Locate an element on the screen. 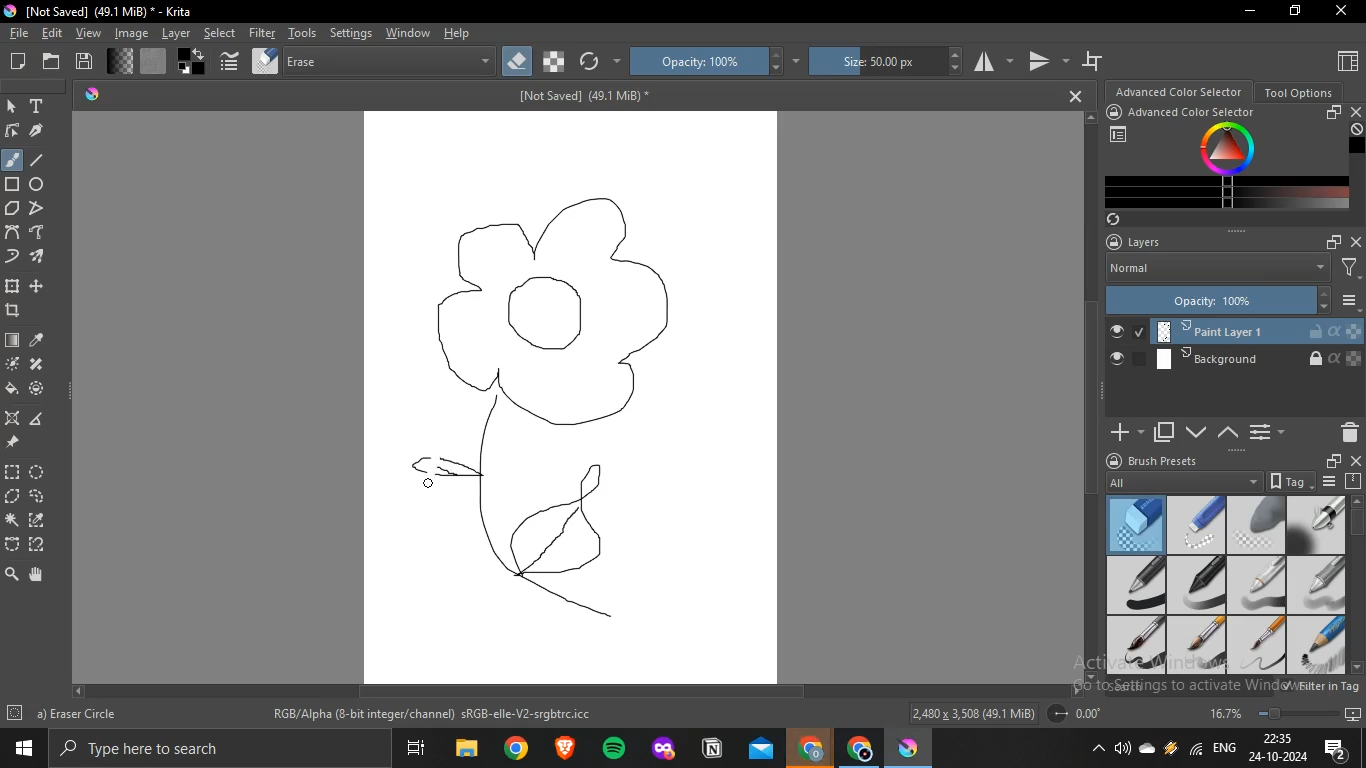 This screenshot has width=1366, height=768. wrap around mode is located at coordinates (1095, 60).